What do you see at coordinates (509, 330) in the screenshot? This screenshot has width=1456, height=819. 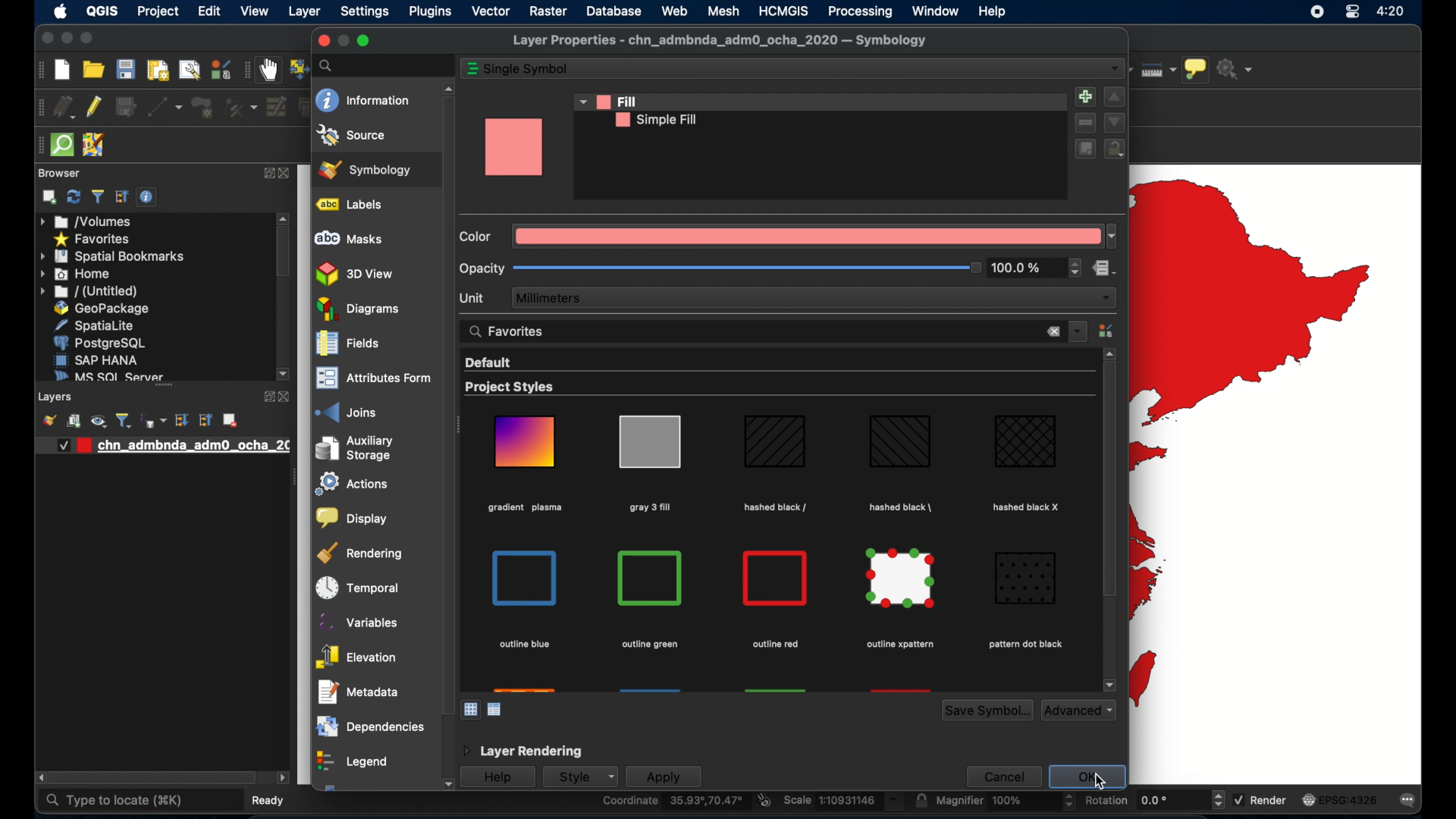 I see `favorites` at bounding box center [509, 330].